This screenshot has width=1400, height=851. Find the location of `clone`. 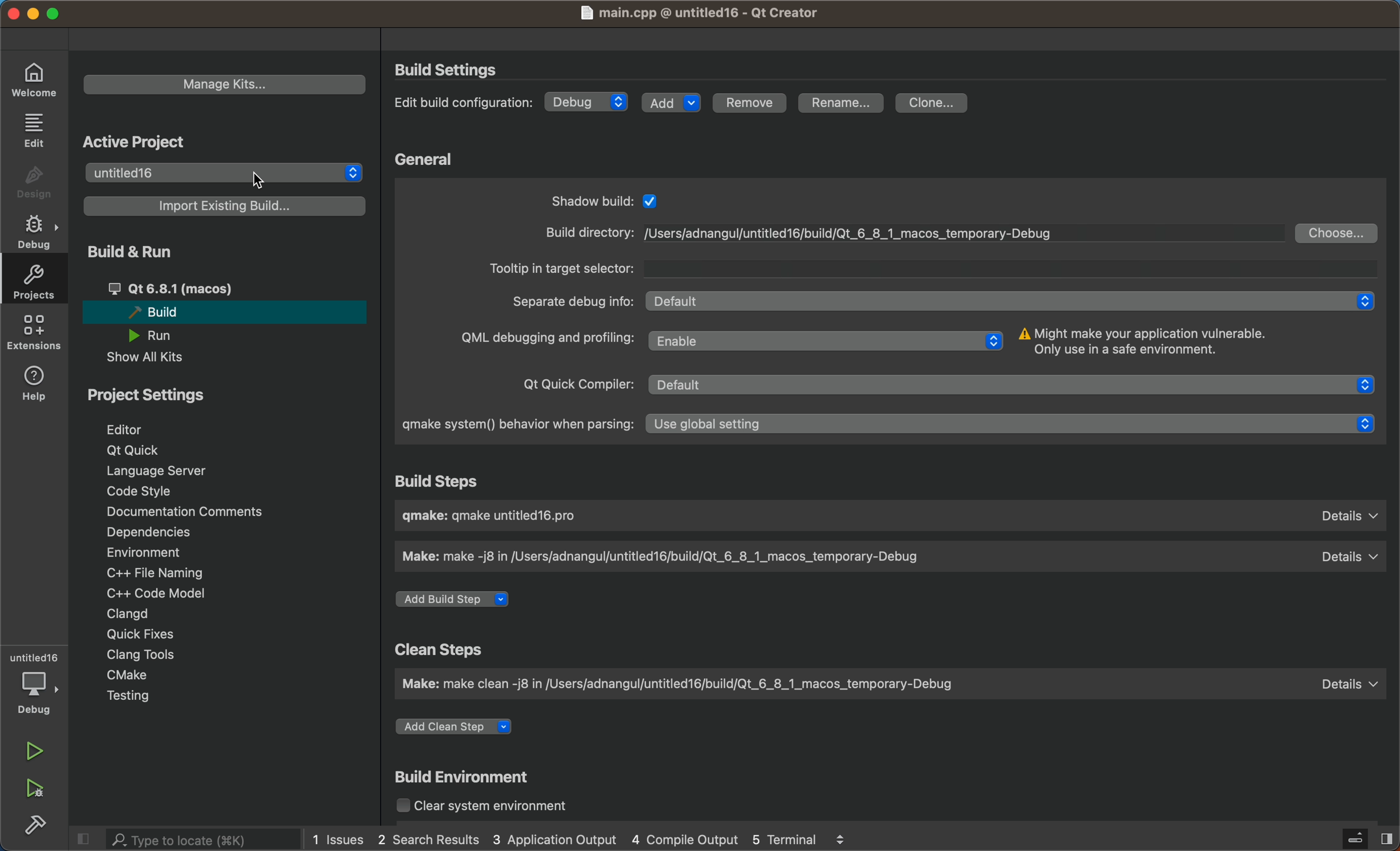

clone is located at coordinates (934, 103).